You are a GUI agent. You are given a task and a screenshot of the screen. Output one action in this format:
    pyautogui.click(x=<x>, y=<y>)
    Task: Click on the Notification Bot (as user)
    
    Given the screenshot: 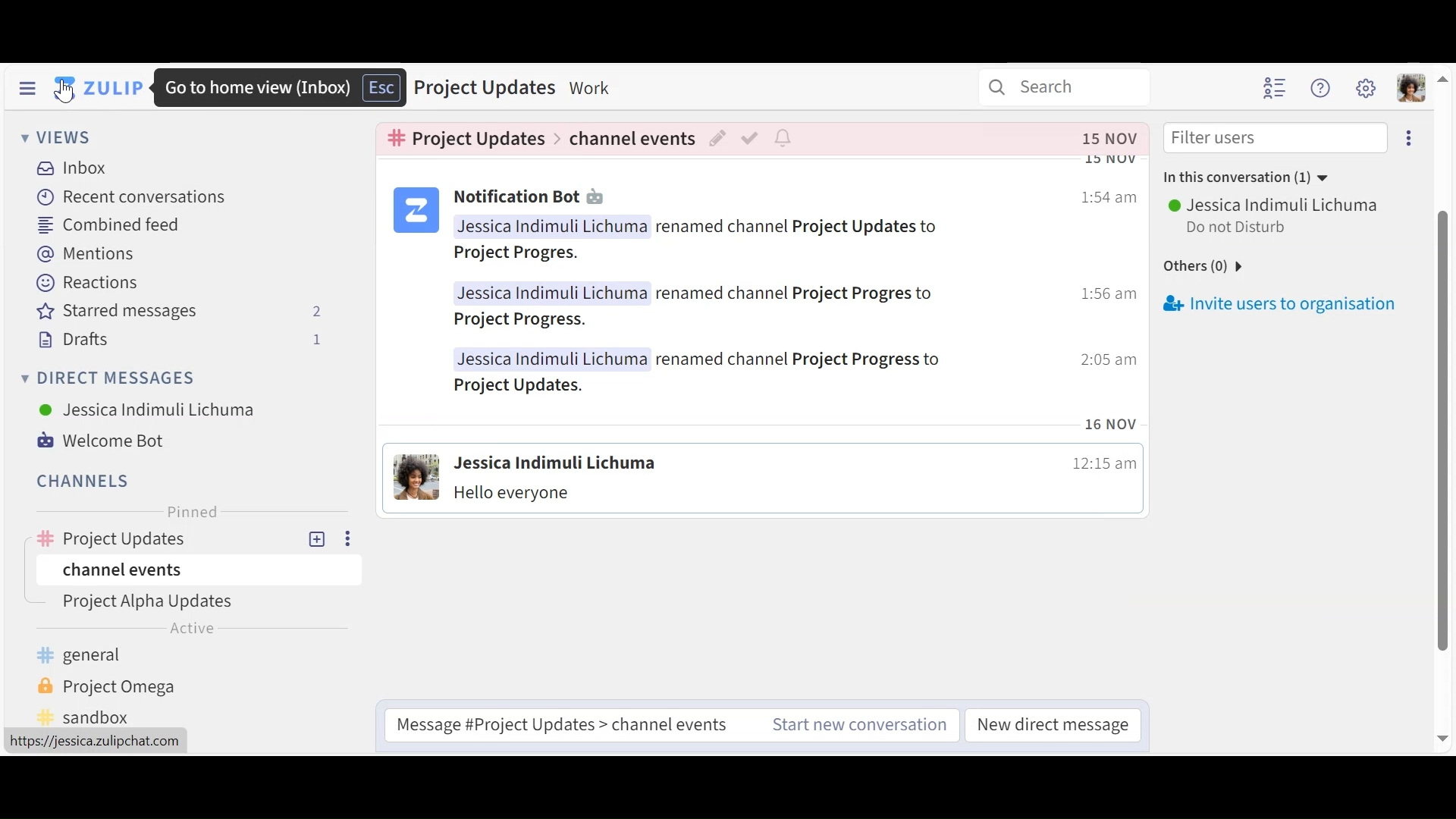 What is the action you would take?
    pyautogui.click(x=531, y=195)
    